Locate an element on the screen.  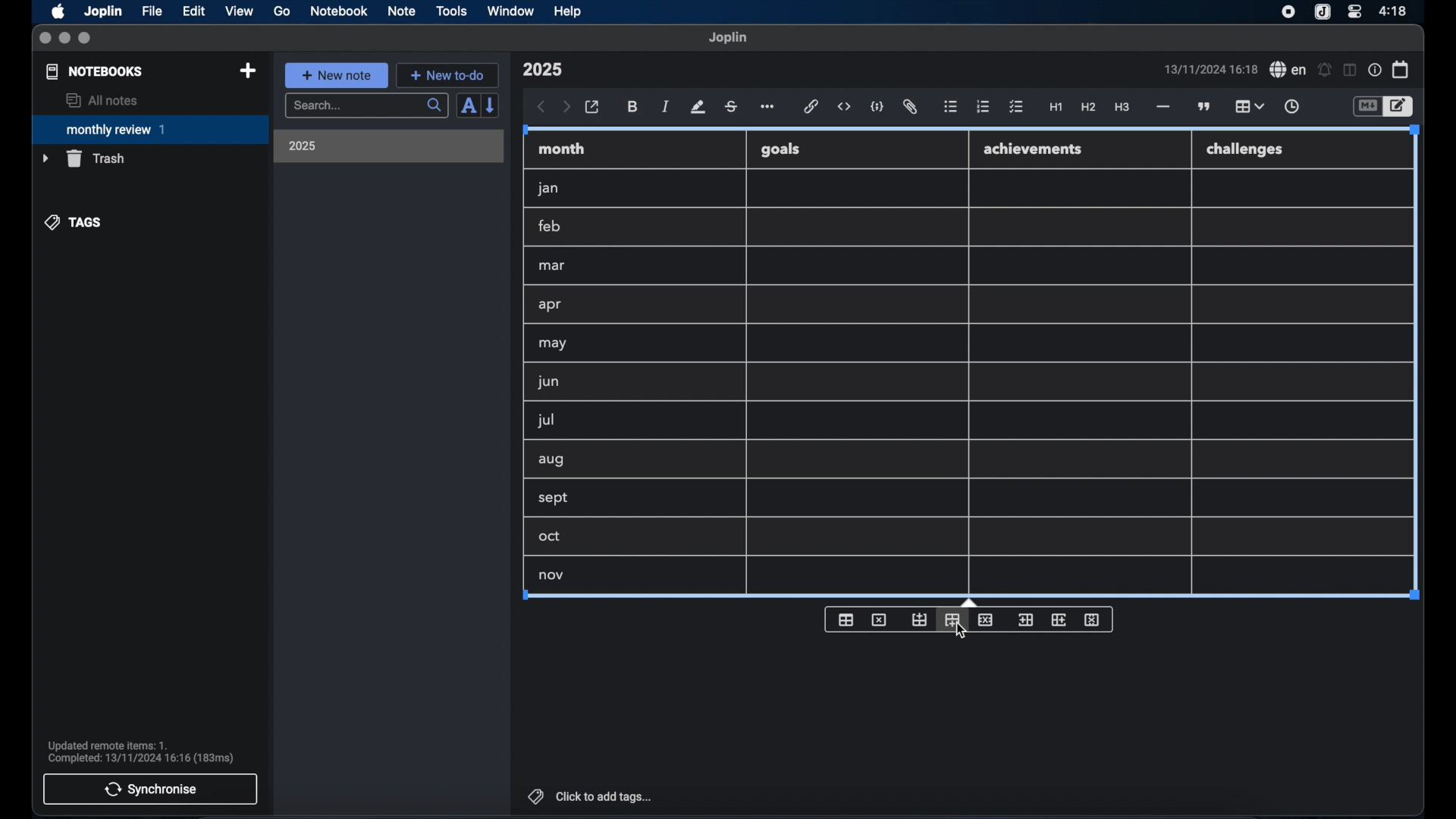
sync notification is located at coordinates (141, 752).